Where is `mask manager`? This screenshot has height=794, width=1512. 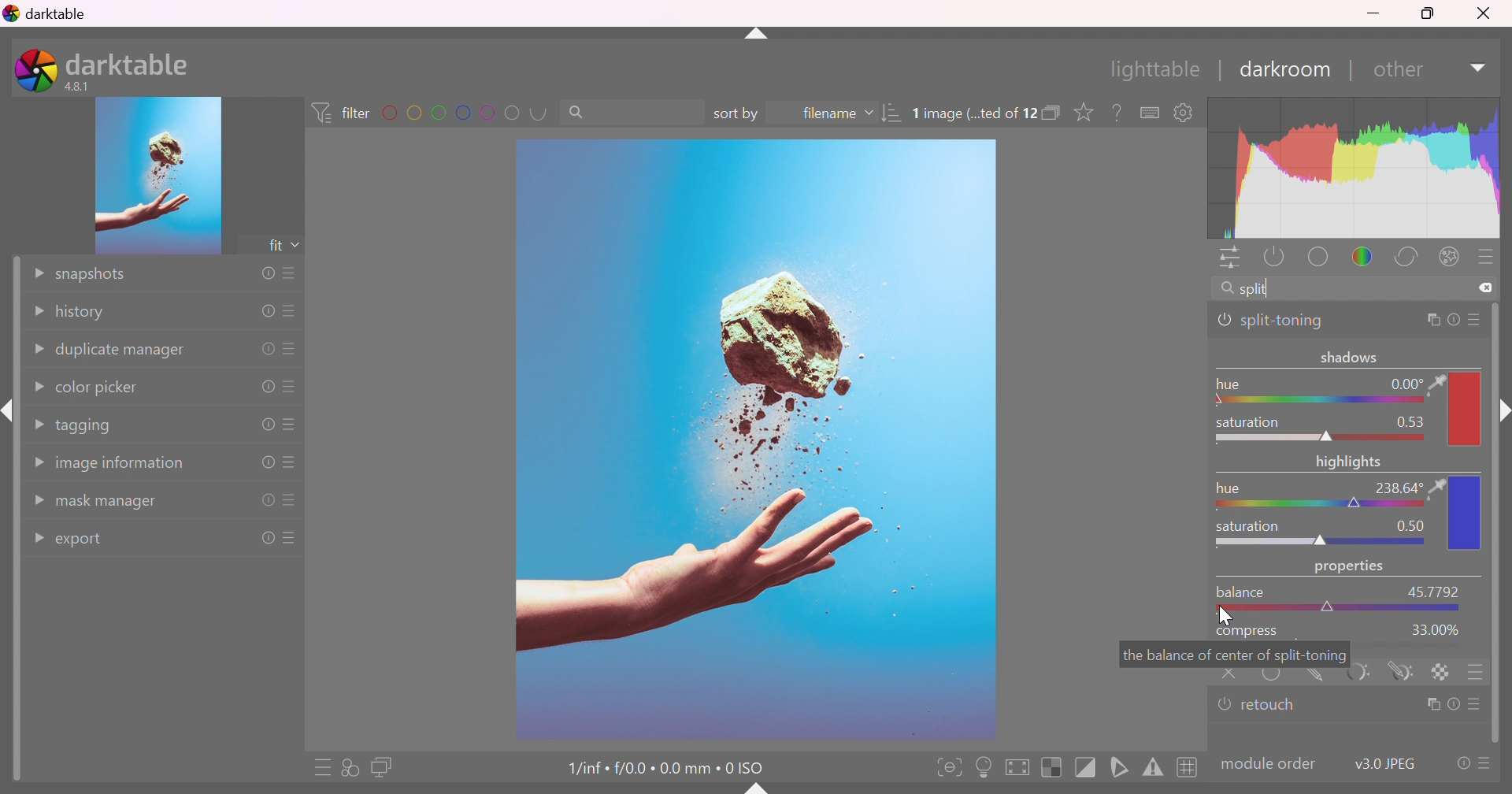
mask manager is located at coordinates (110, 504).